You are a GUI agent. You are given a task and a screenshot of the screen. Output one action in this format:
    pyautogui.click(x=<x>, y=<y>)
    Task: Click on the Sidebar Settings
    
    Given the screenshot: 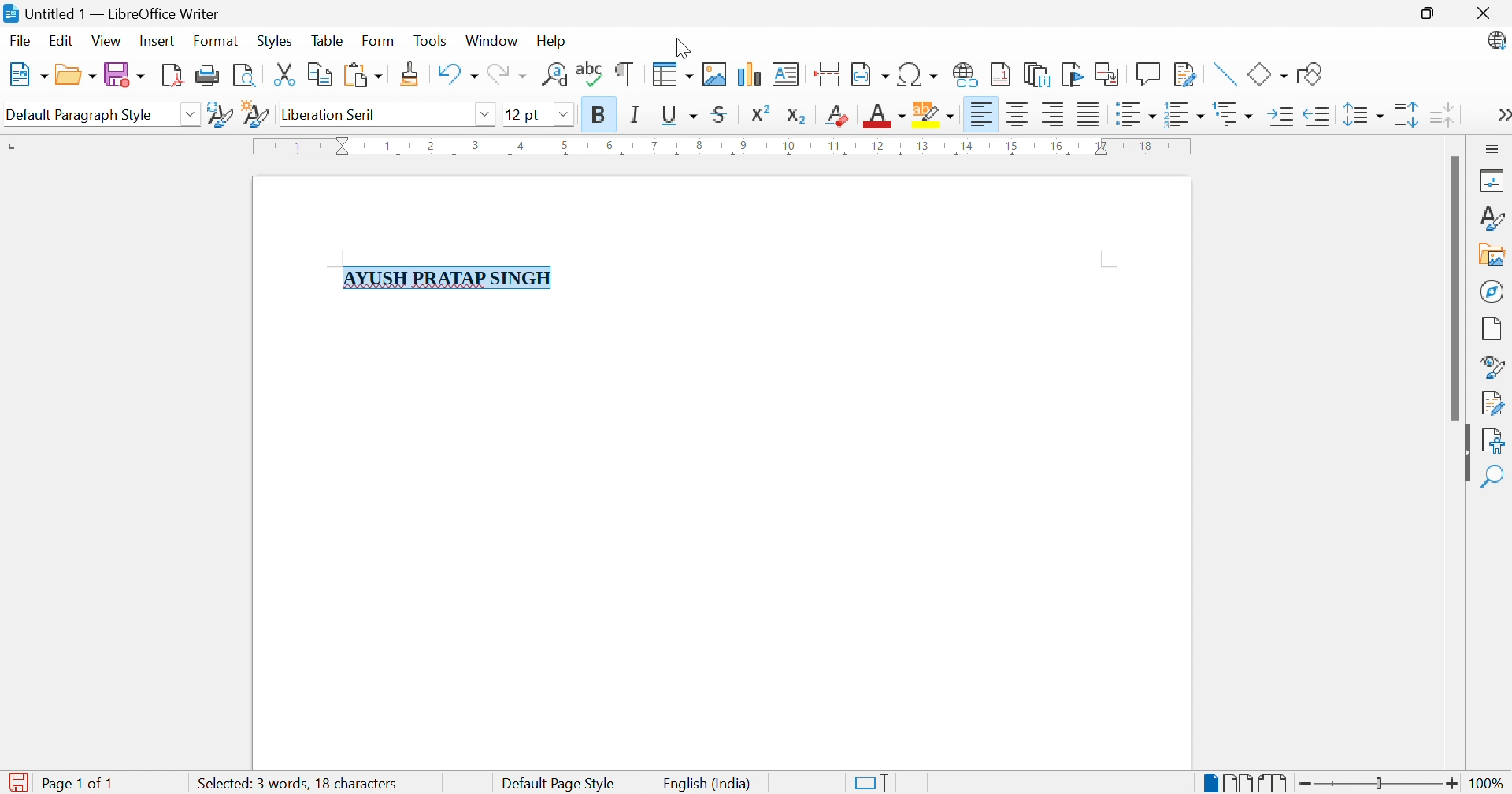 What is the action you would take?
    pyautogui.click(x=1490, y=148)
    